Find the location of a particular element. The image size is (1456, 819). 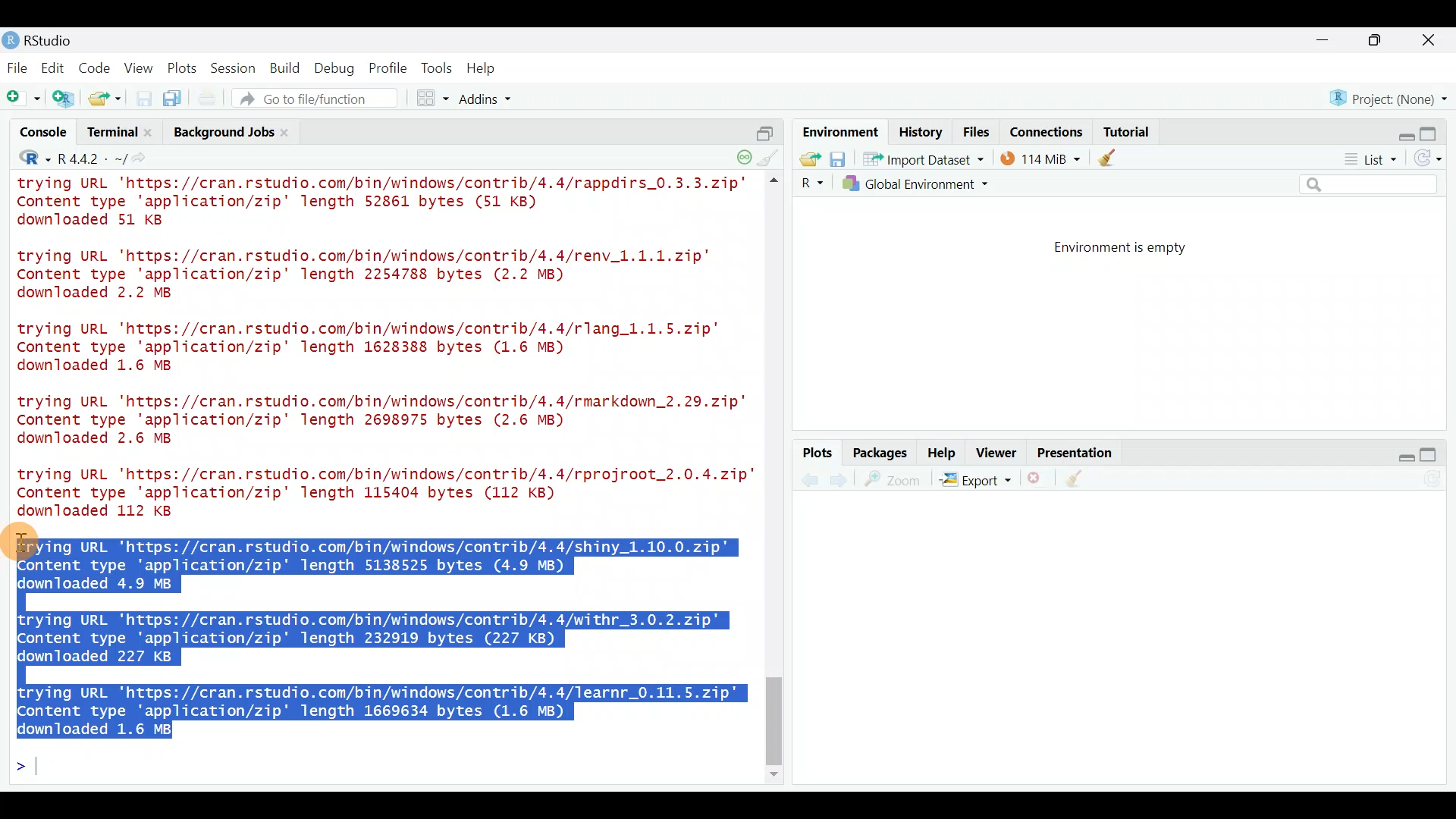

Global Environment is located at coordinates (927, 184).